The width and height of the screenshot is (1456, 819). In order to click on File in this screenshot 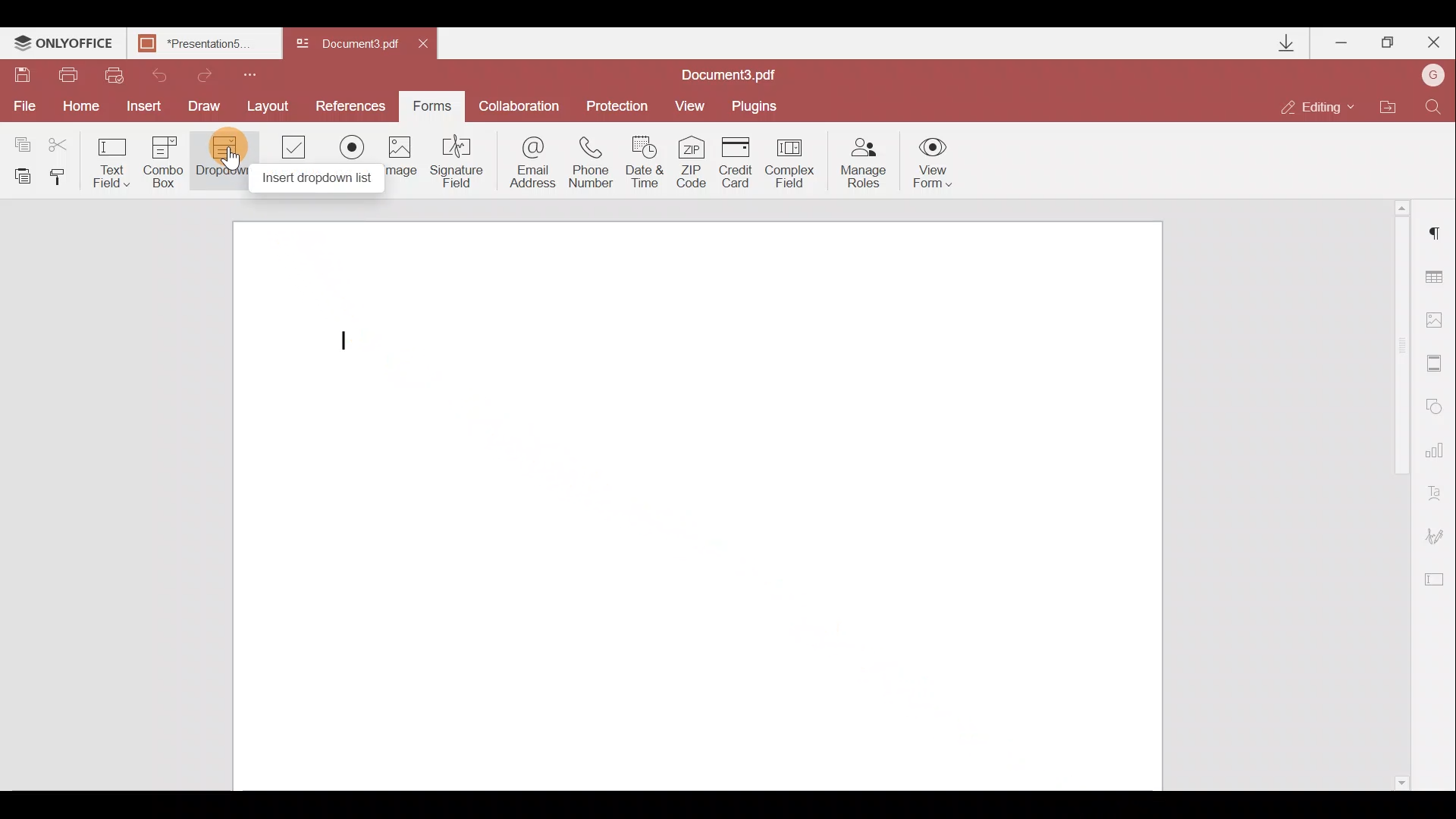, I will do `click(23, 106)`.